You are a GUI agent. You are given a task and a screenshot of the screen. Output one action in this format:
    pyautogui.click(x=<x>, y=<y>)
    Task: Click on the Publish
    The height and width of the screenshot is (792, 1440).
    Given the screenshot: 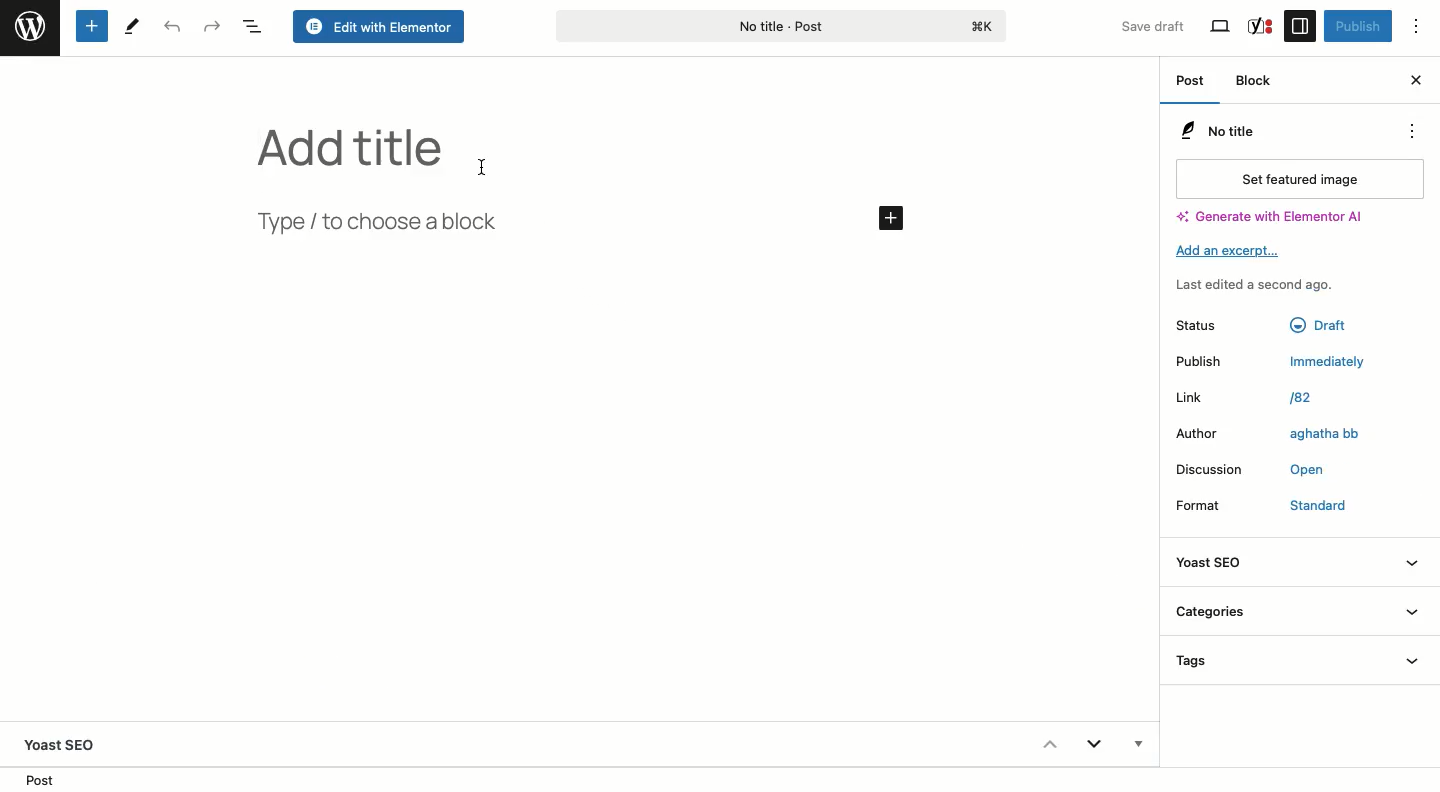 What is the action you would take?
    pyautogui.click(x=1356, y=26)
    